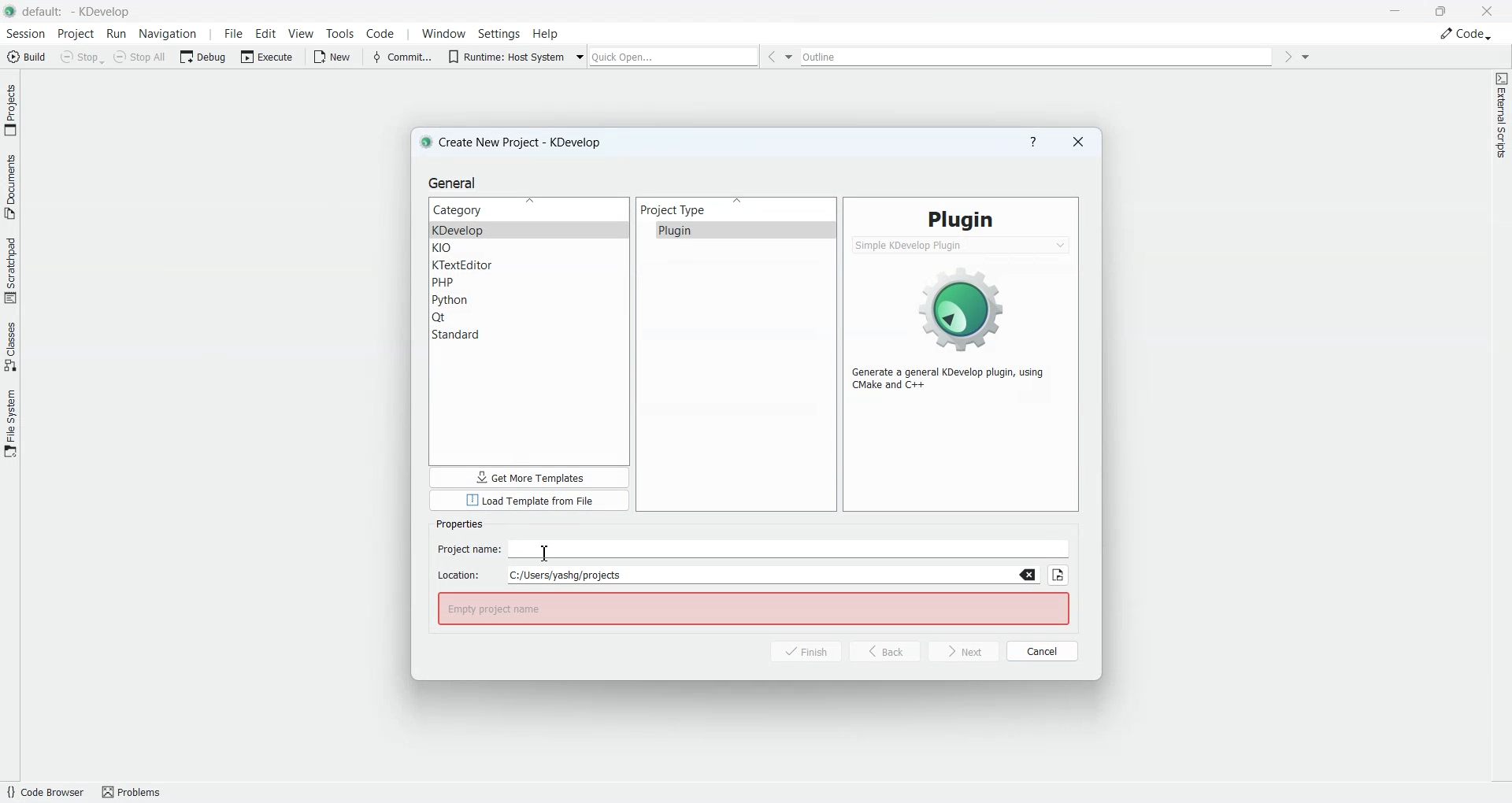 This screenshot has width=1512, height=803. Describe the element at coordinates (302, 33) in the screenshot. I see `View` at that location.